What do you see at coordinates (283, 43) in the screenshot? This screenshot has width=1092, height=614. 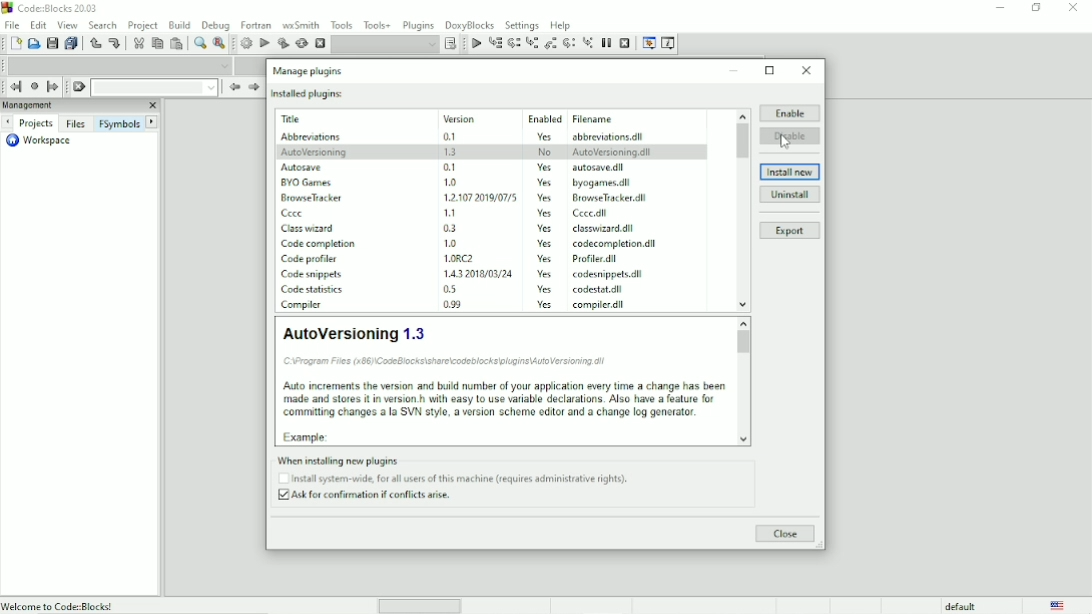 I see `Build and run` at bounding box center [283, 43].